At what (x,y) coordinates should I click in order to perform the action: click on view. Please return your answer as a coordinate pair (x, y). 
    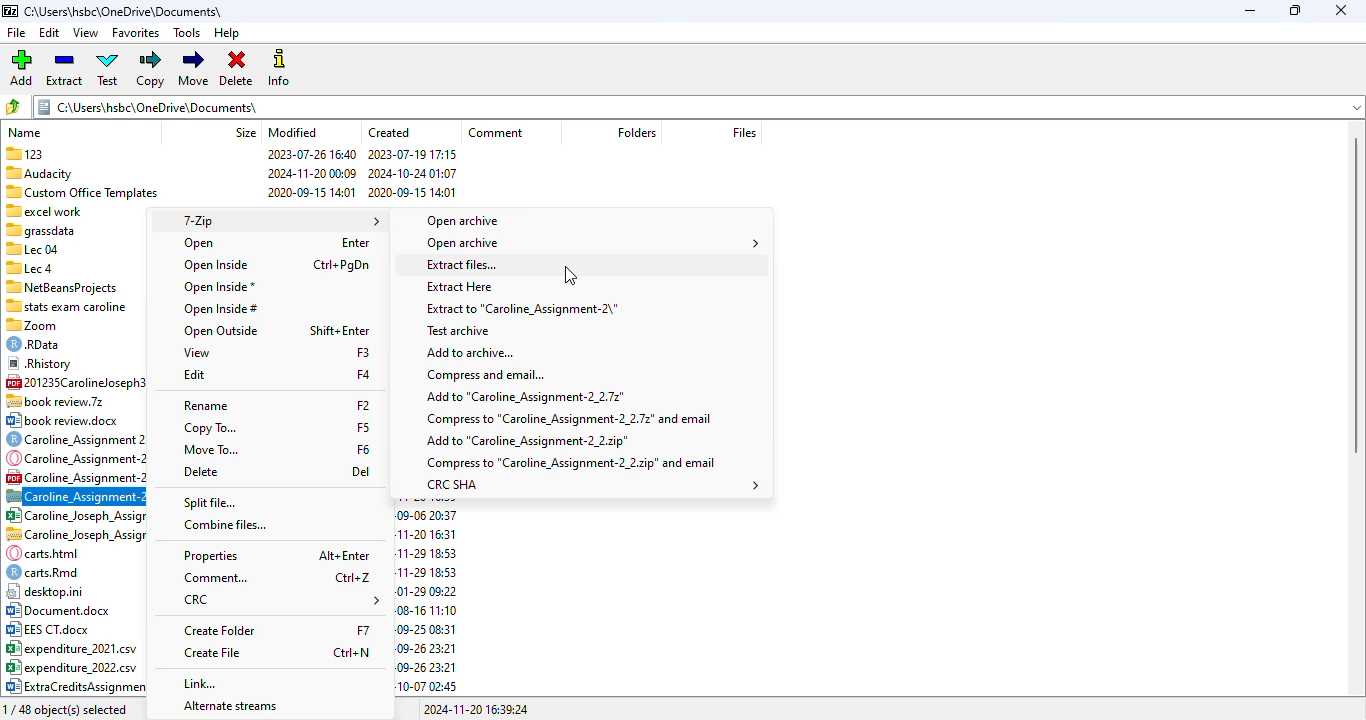
    Looking at the image, I should click on (196, 353).